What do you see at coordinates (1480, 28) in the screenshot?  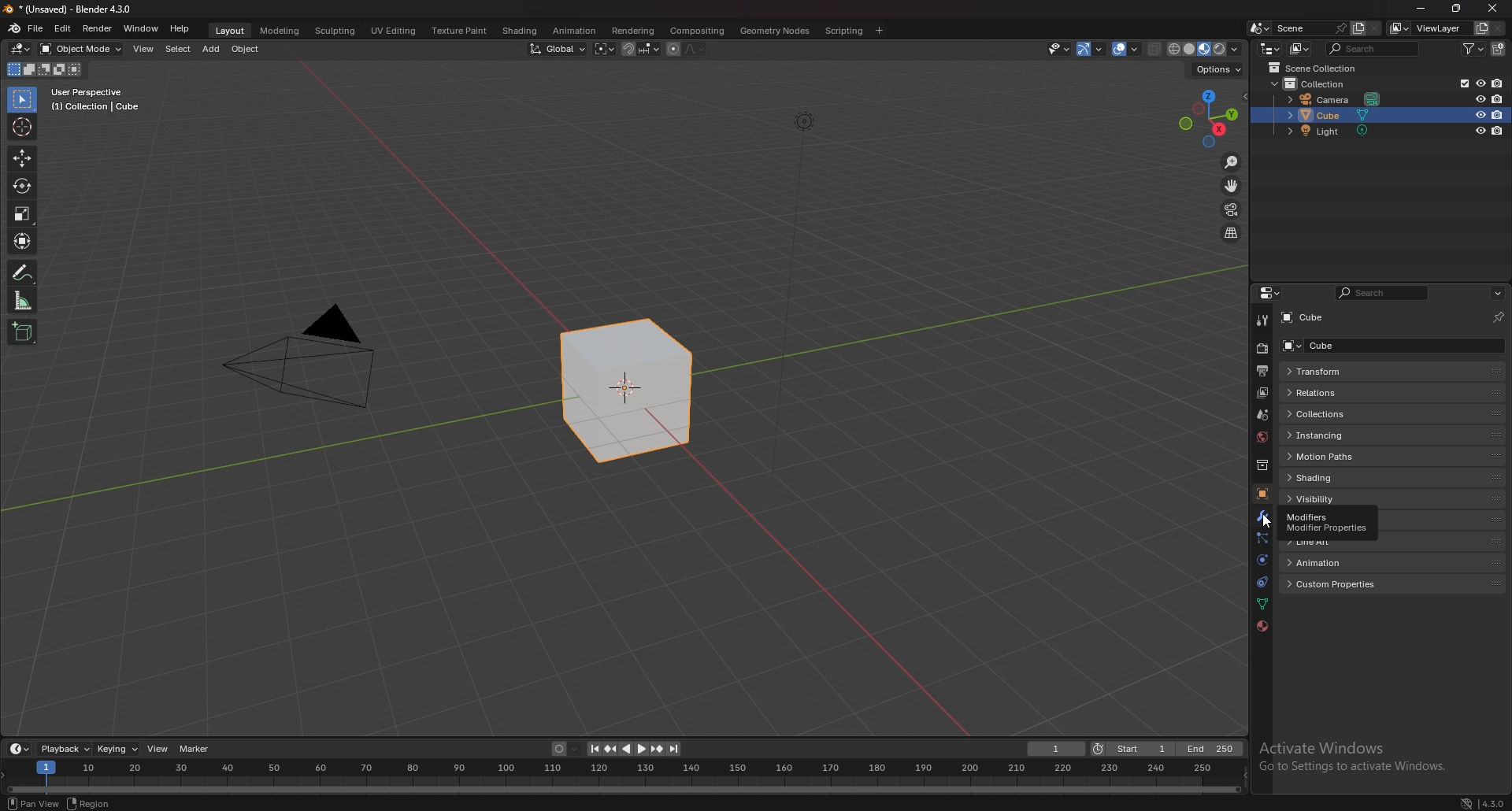 I see `add view layer` at bounding box center [1480, 28].